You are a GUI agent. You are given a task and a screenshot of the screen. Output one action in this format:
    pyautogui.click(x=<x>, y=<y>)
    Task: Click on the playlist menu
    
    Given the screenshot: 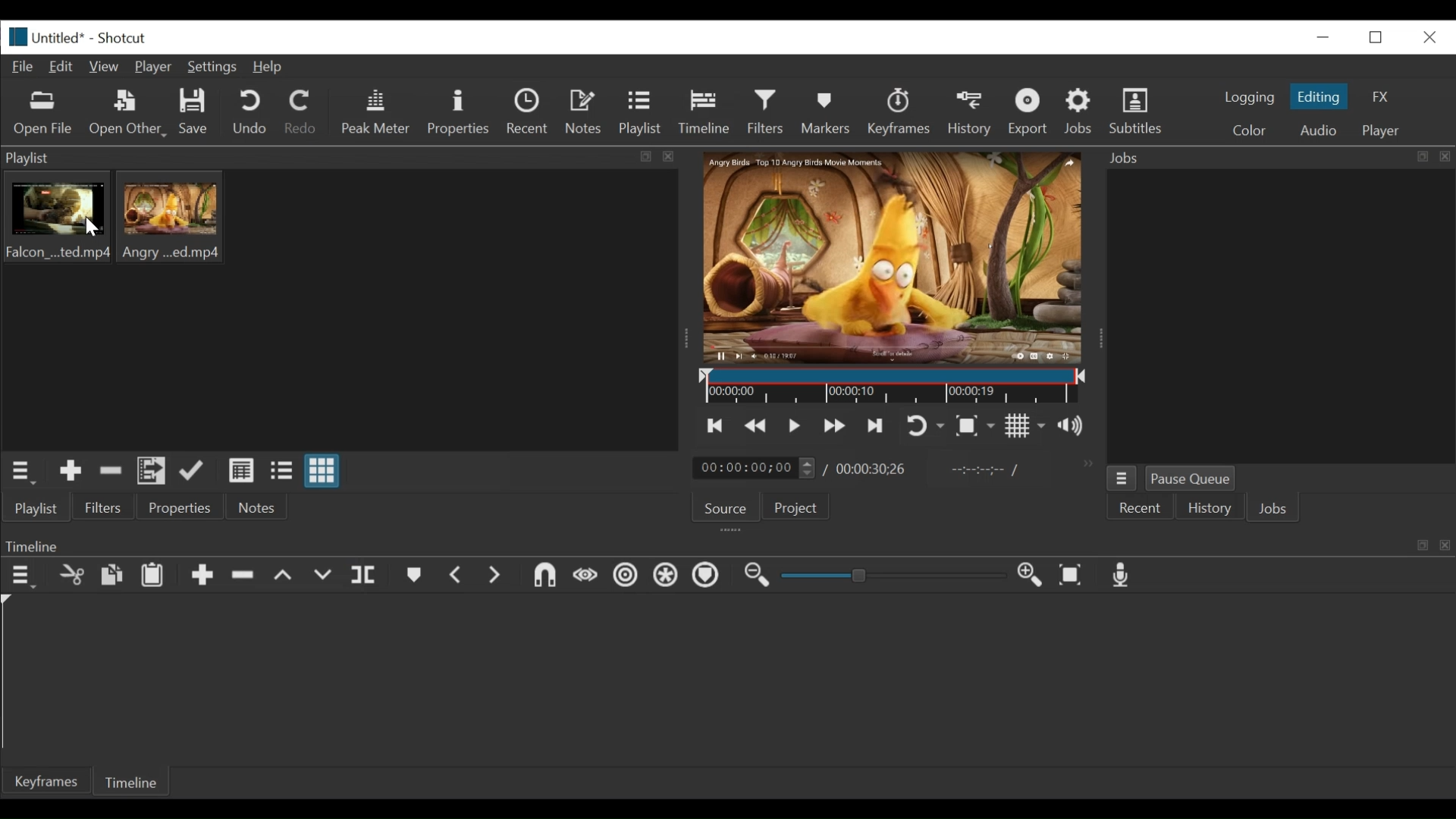 What is the action you would take?
    pyautogui.click(x=24, y=470)
    